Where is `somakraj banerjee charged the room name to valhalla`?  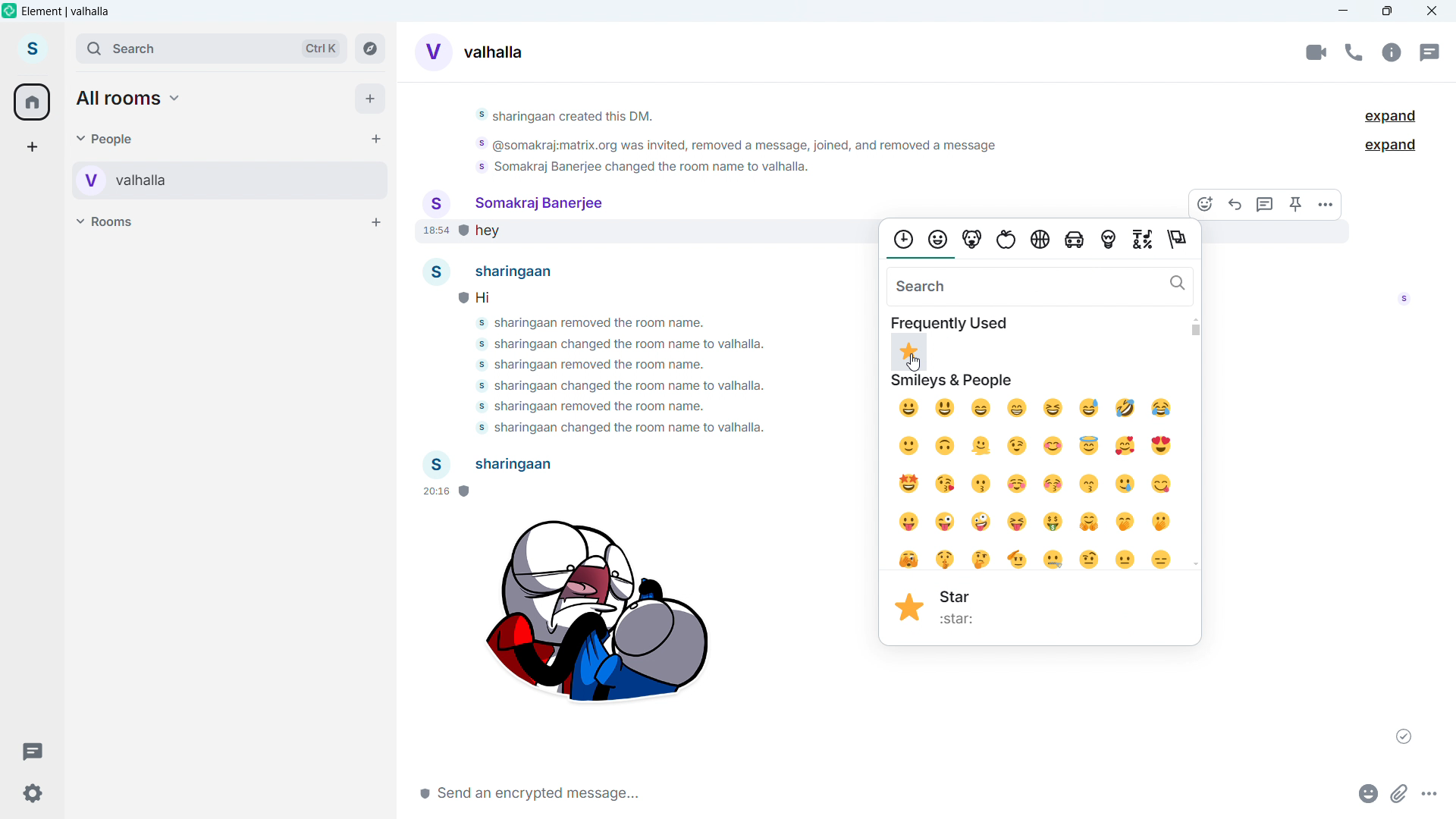 somakraj banerjee charged the room name to valhalla is located at coordinates (648, 170).